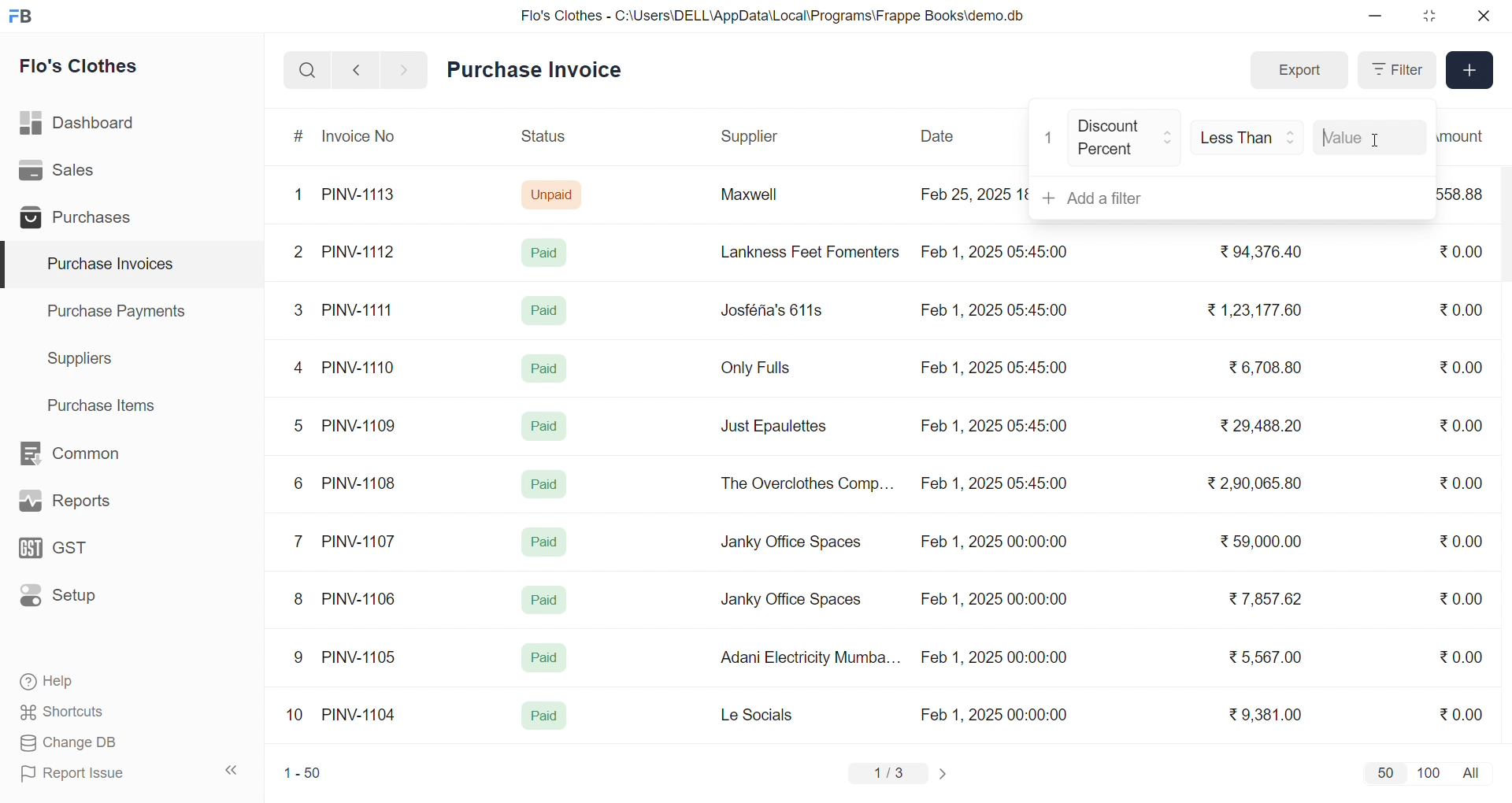  What do you see at coordinates (996, 368) in the screenshot?
I see `Feb 1, 2025 05:45:00` at bounding box center [996, 368].